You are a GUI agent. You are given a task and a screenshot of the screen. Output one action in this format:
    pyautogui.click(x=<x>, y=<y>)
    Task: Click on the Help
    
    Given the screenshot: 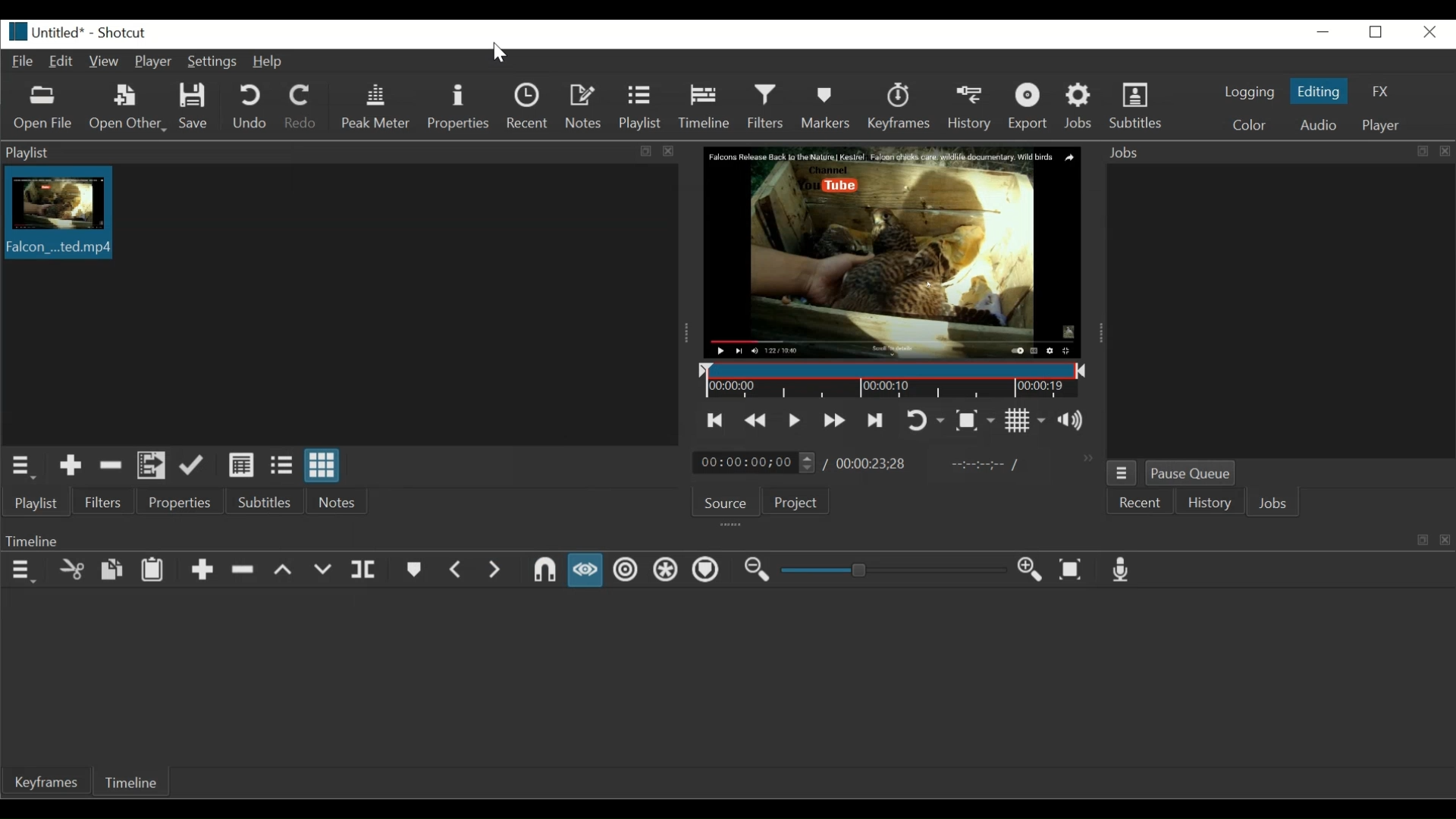 What is the action you would take?
    pyautogui.click(x=270, y=63)
    